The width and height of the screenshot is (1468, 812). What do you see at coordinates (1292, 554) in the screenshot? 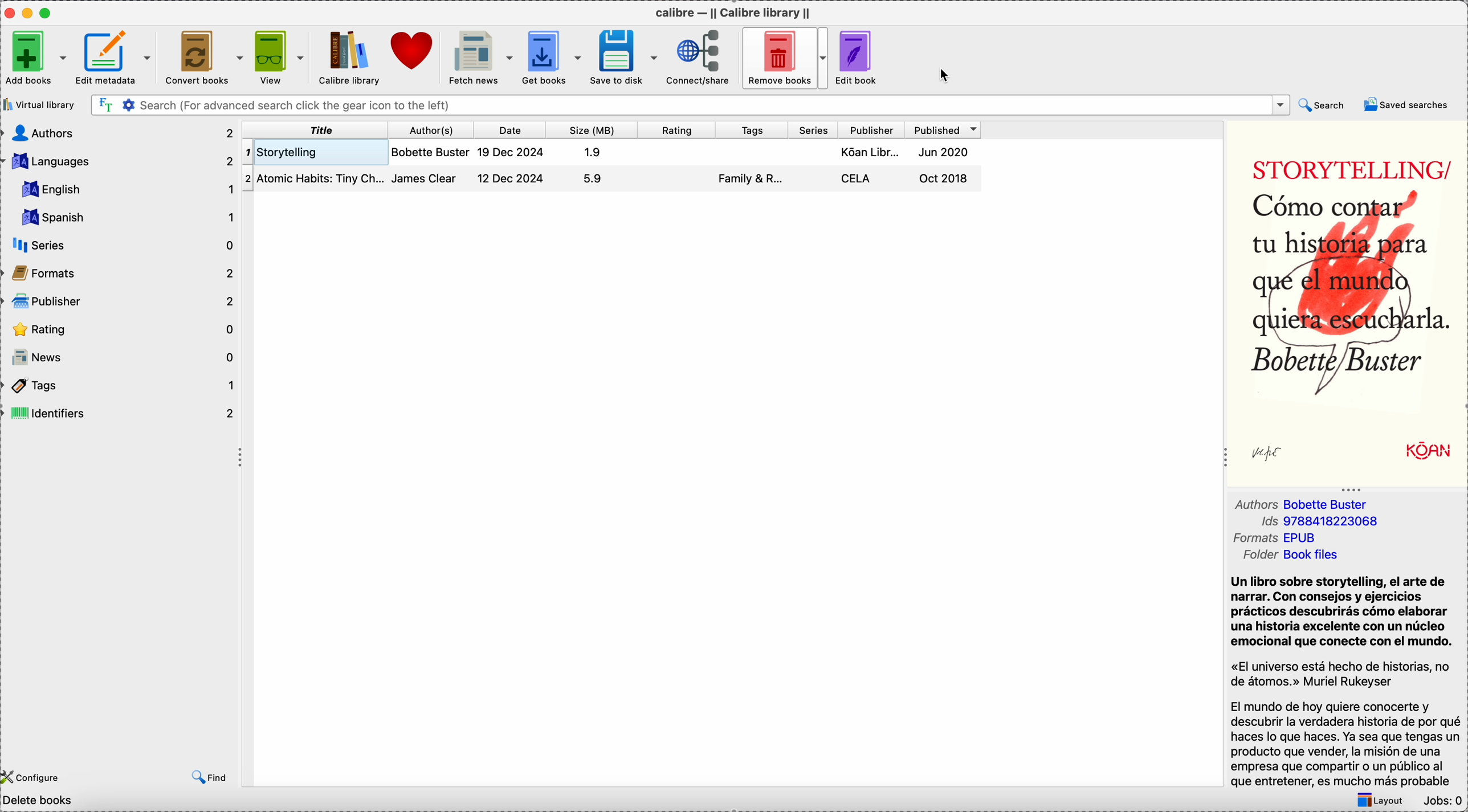
I see `folder book files` at bounding box center [1292, 554].